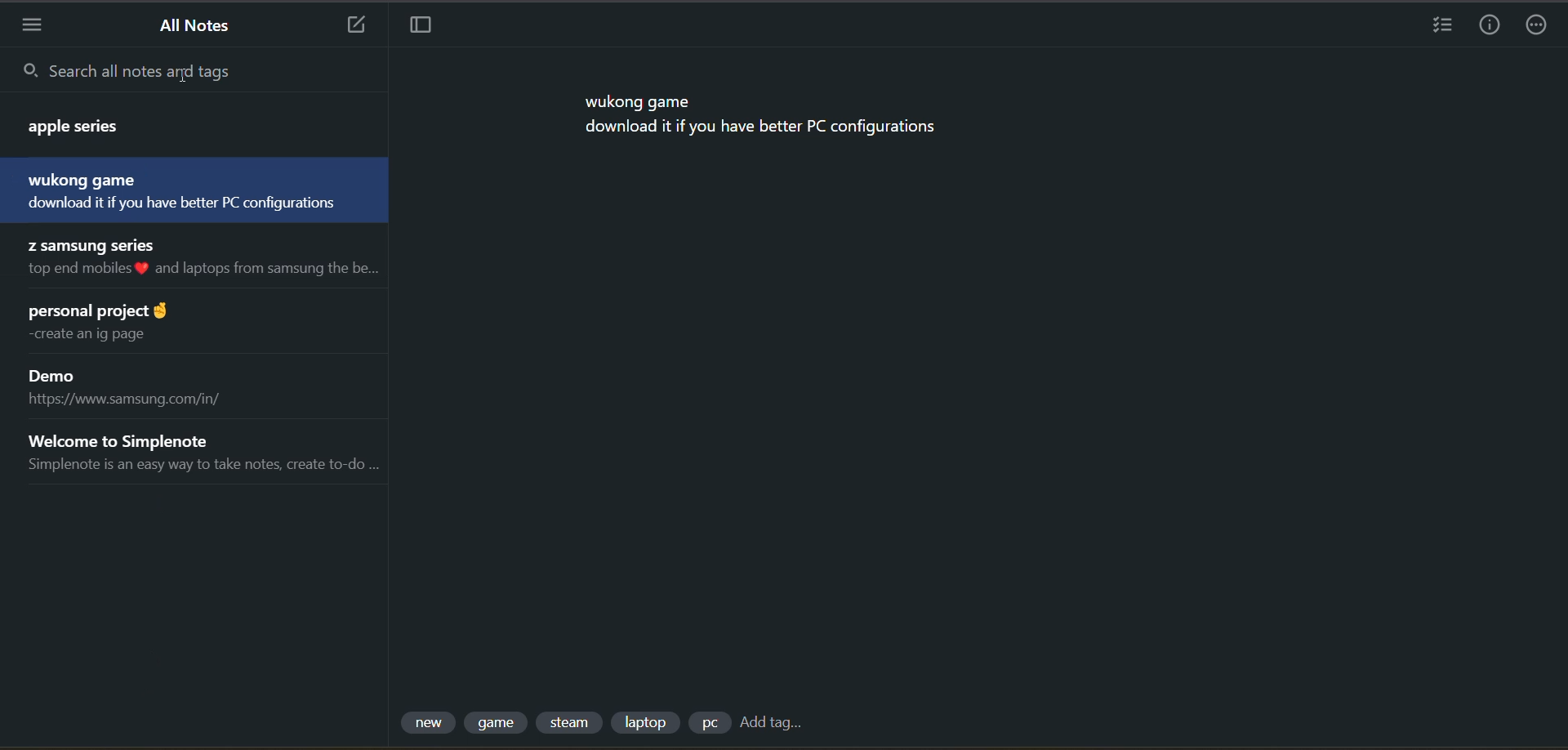 Image resolution: width=1568 pixels, height=750 pixels. I want to click on all notes, so click(198, 28).